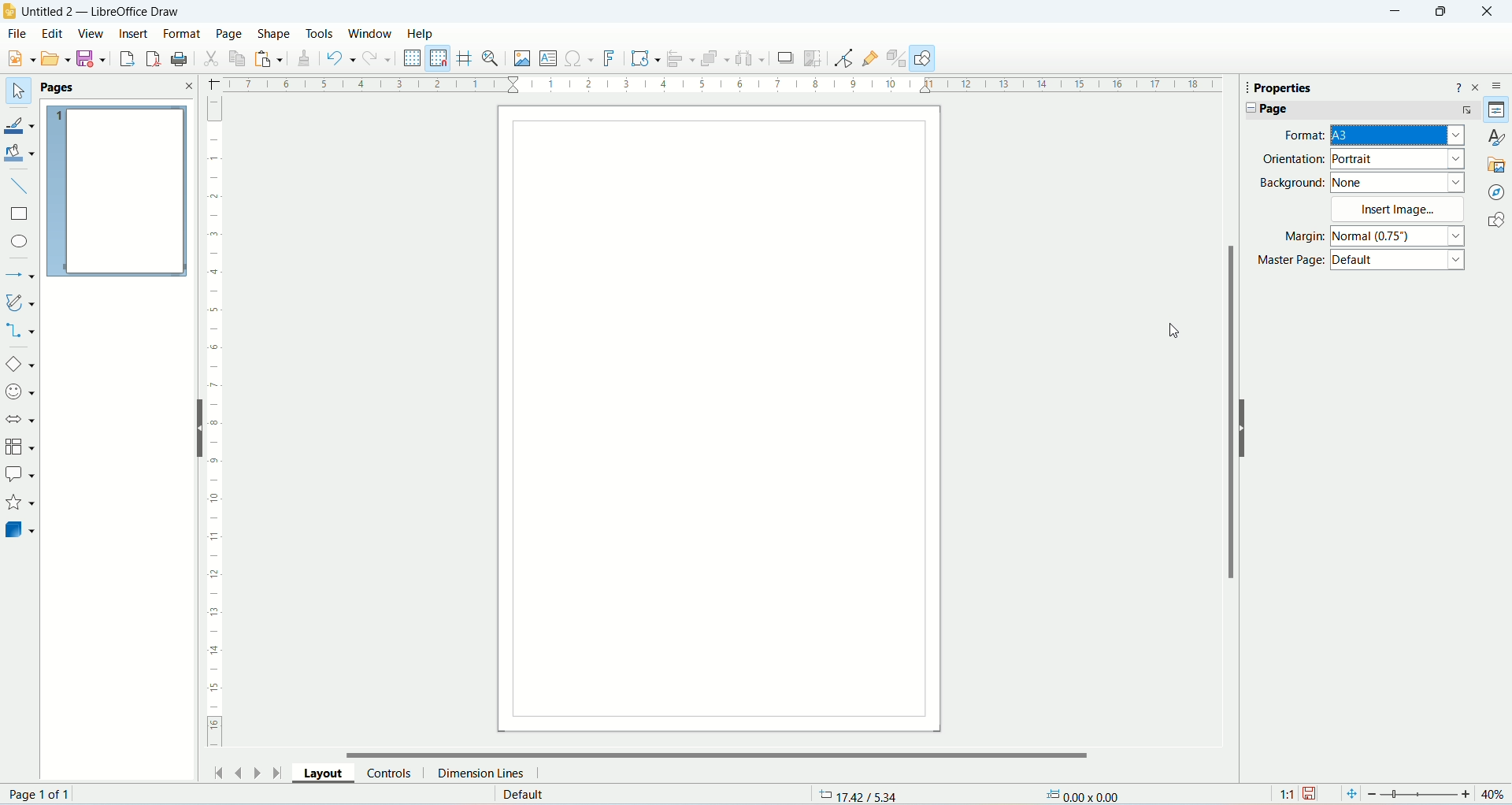  I want to click on fit page to current window, so click(1350, 793).